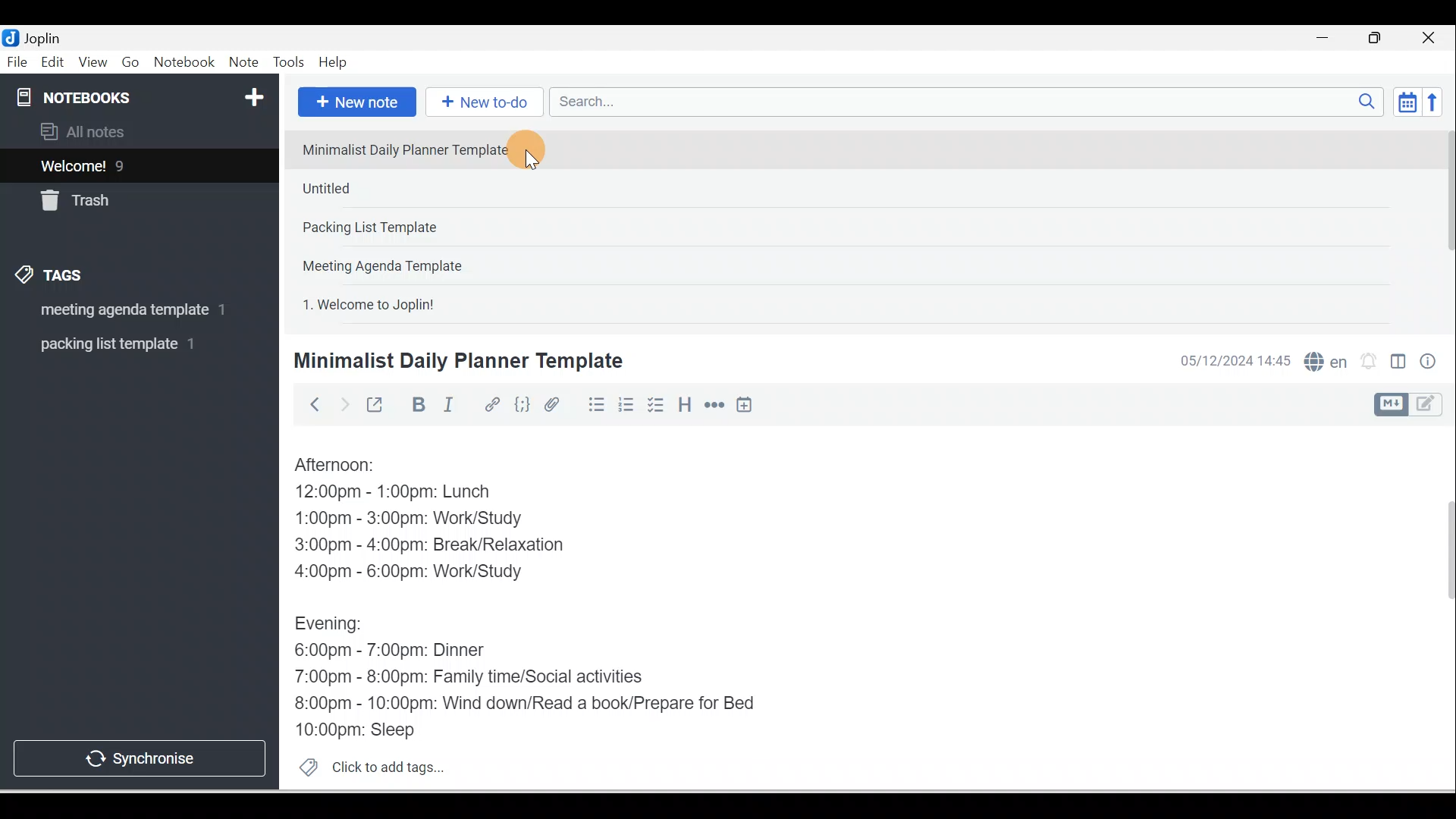 The image size is (1456, 819). Describe the element at coordinates (363, 729) in the screenshot. I see `10:00pm: Sleep` at that location.